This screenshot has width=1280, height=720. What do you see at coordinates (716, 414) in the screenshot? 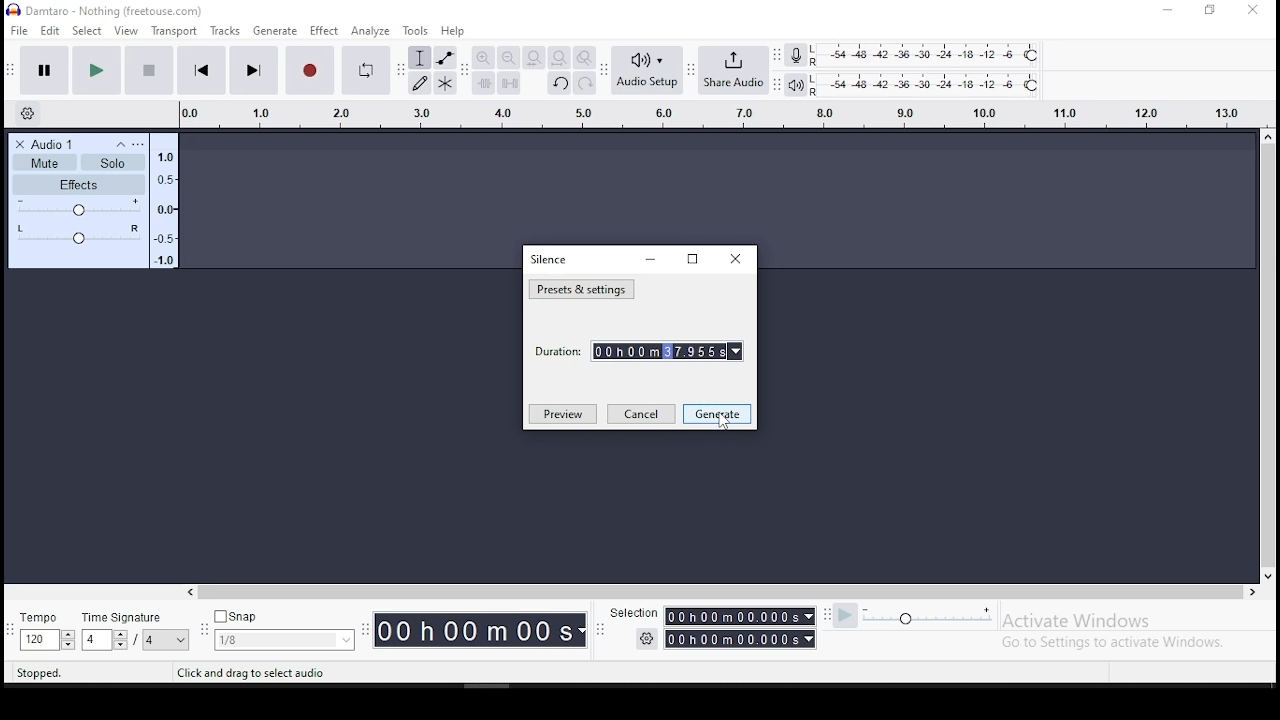
I see `generate` at bounding box center [716, 414].